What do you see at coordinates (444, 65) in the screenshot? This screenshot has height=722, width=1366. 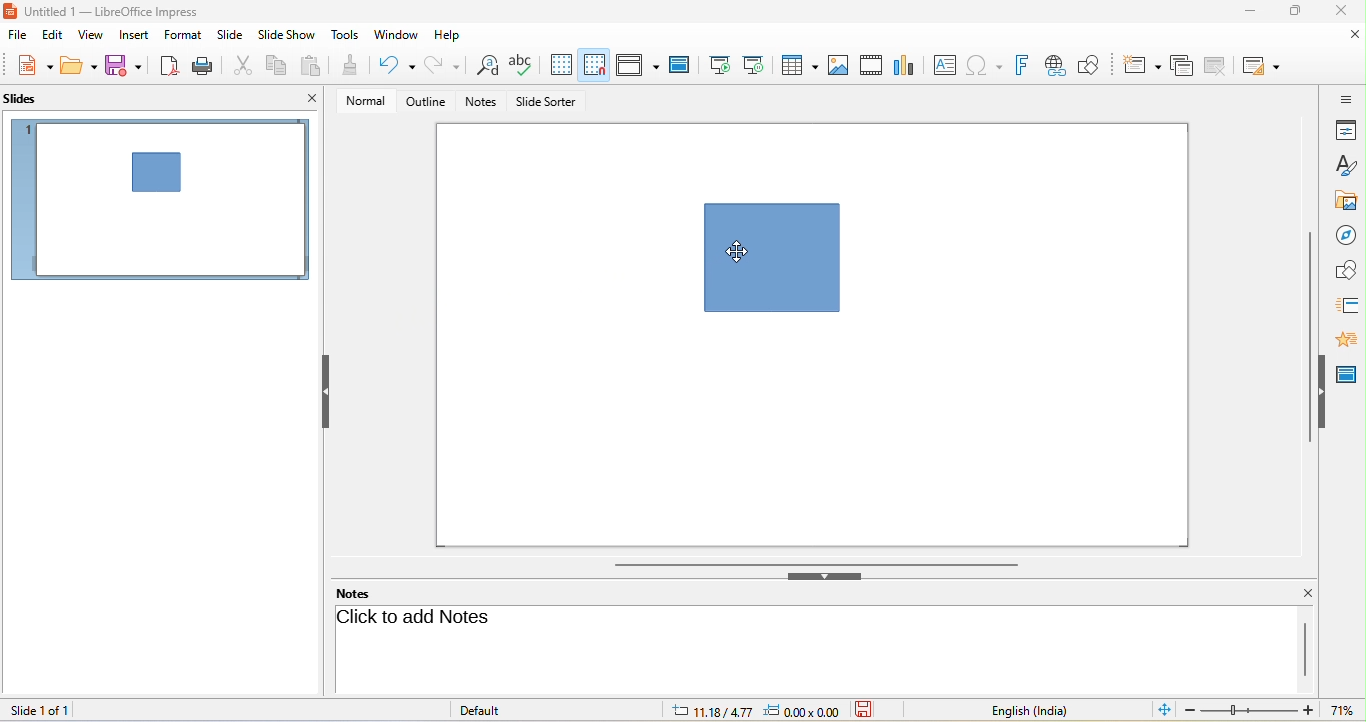 I see `redo` at bounding box center [444, 65].